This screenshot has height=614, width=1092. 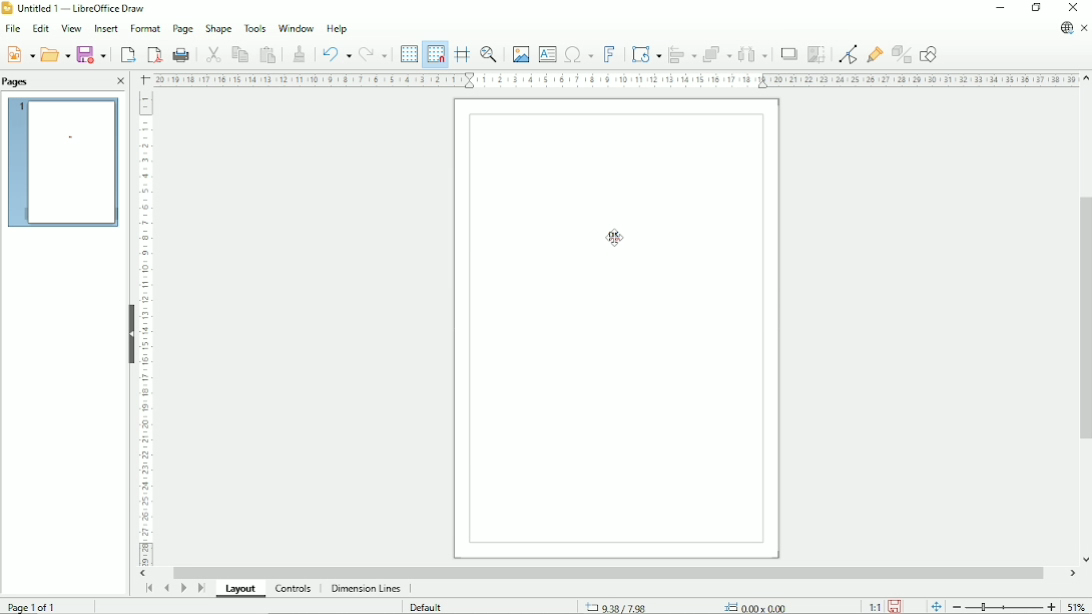 I want to click on Tools, so click(x=254, y=28).